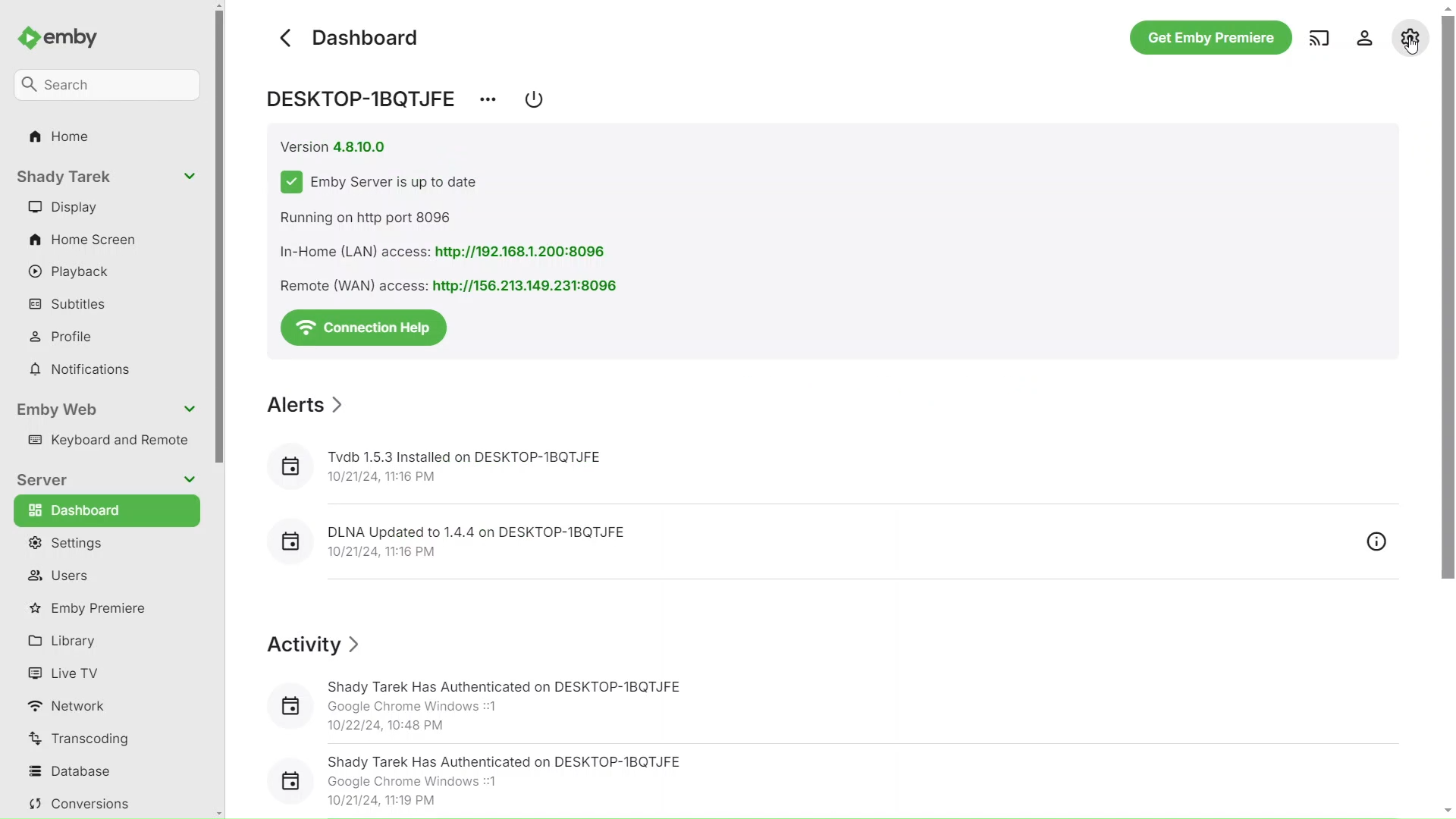  I want to click on media, so click(1320, 39).